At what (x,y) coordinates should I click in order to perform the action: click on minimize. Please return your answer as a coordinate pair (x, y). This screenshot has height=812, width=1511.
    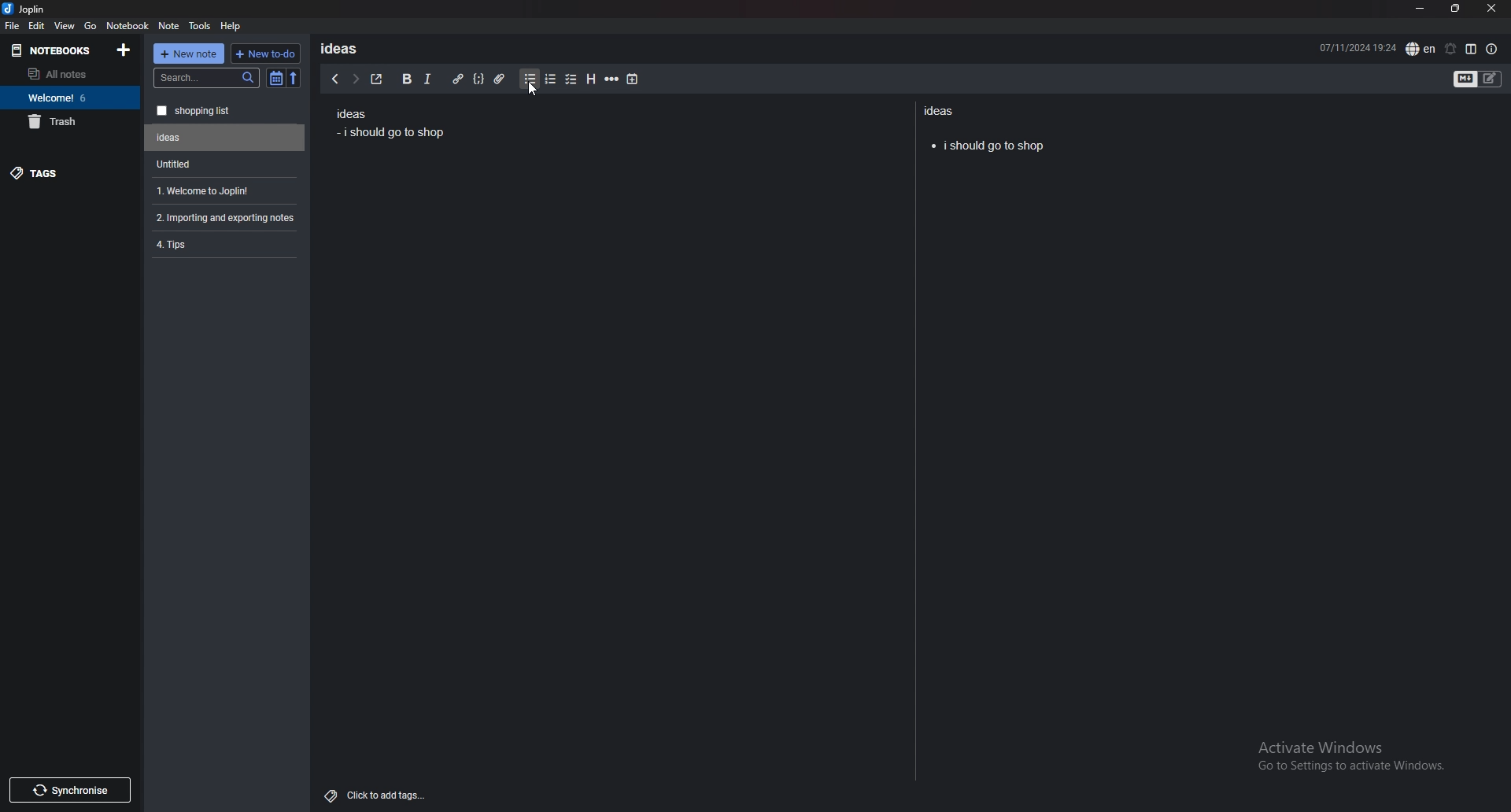
    Looking at the image, I should click on (1420, 9).